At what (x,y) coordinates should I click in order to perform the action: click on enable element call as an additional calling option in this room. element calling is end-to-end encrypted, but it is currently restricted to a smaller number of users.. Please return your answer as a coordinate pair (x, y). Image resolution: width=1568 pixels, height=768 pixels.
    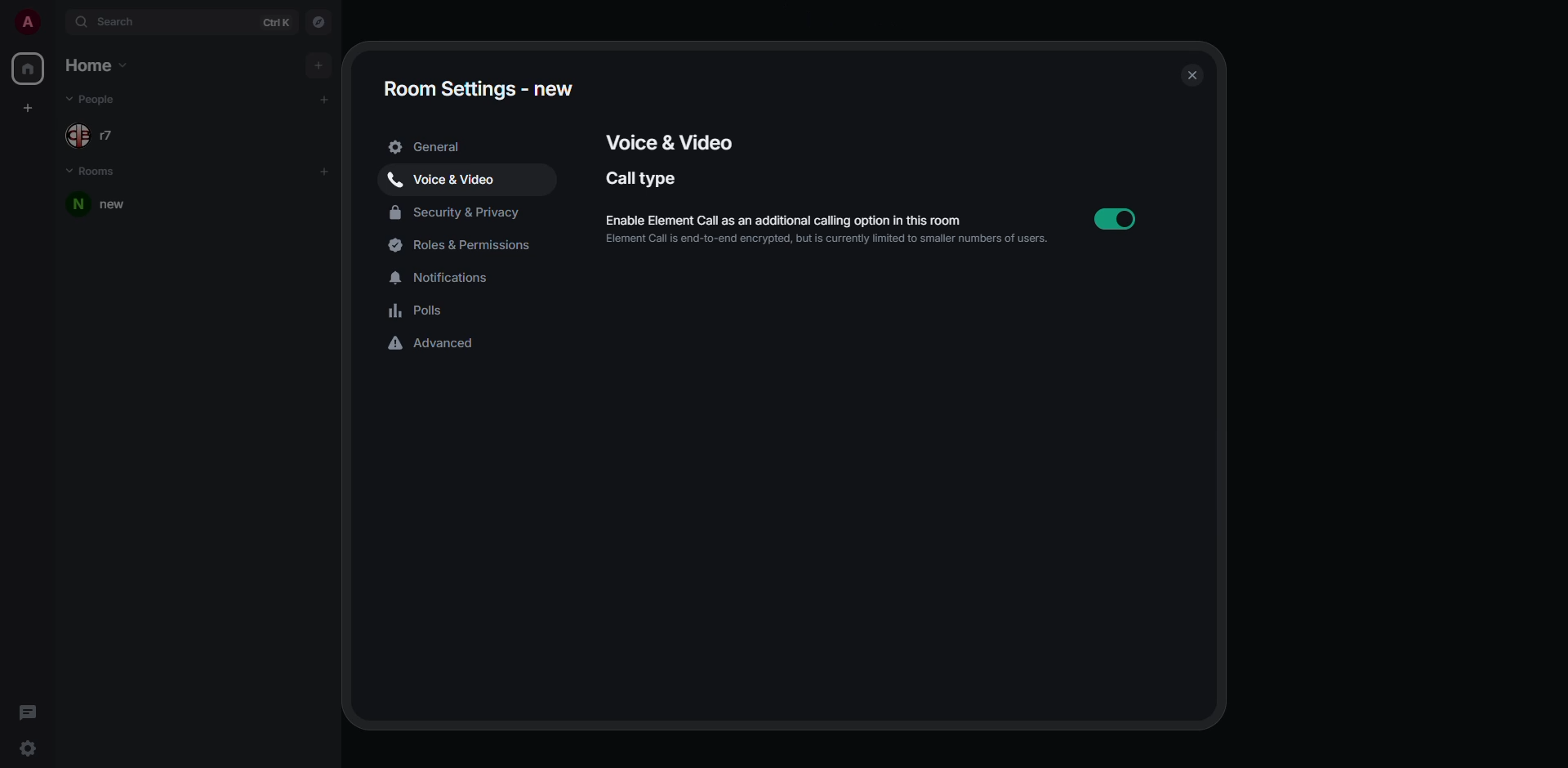
    Looking at the image, I should click on (830, 230).